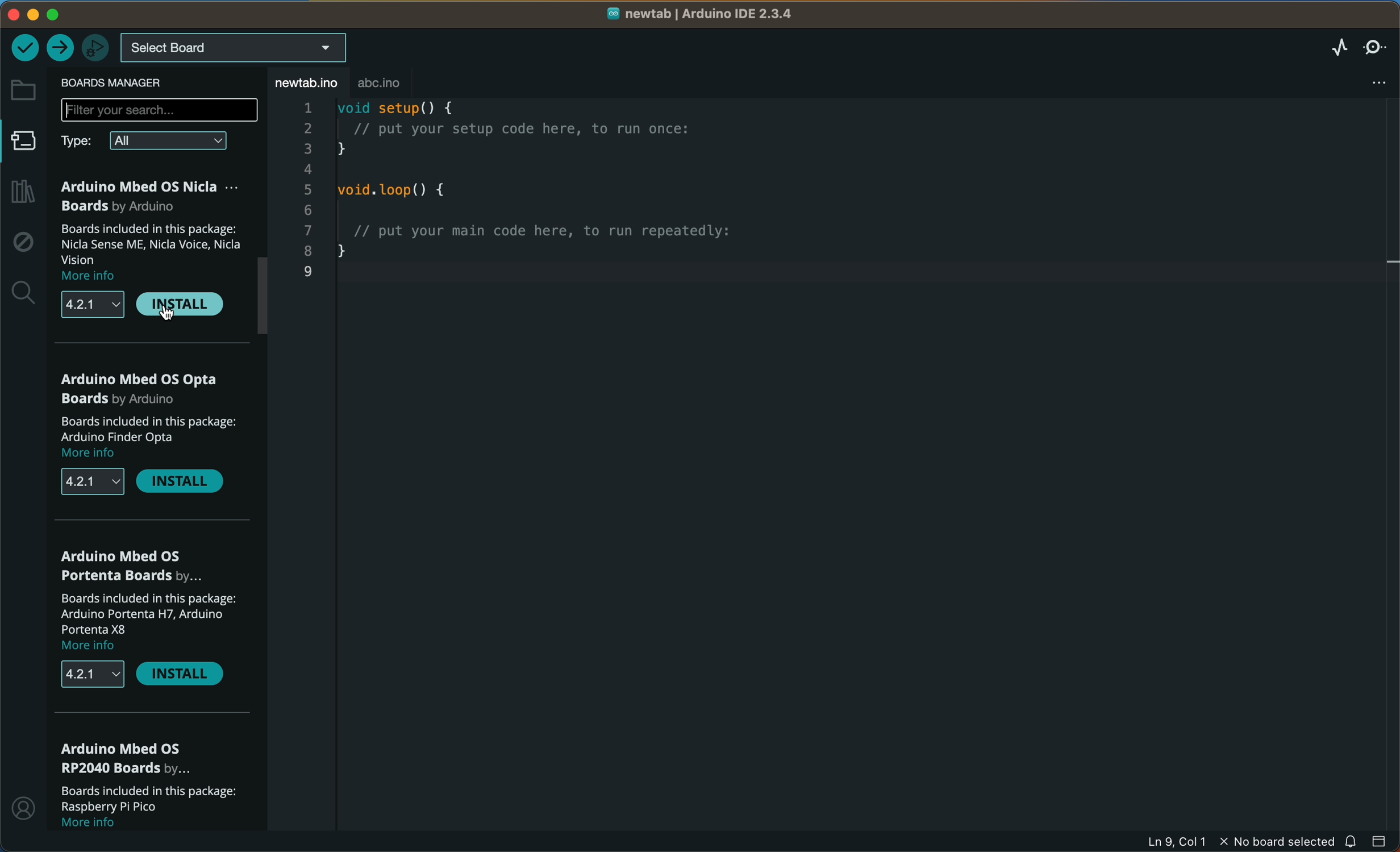  What do you see at coordinates (571, 201) in the screenshot?
I see `code` at bounding box center [571, 201].